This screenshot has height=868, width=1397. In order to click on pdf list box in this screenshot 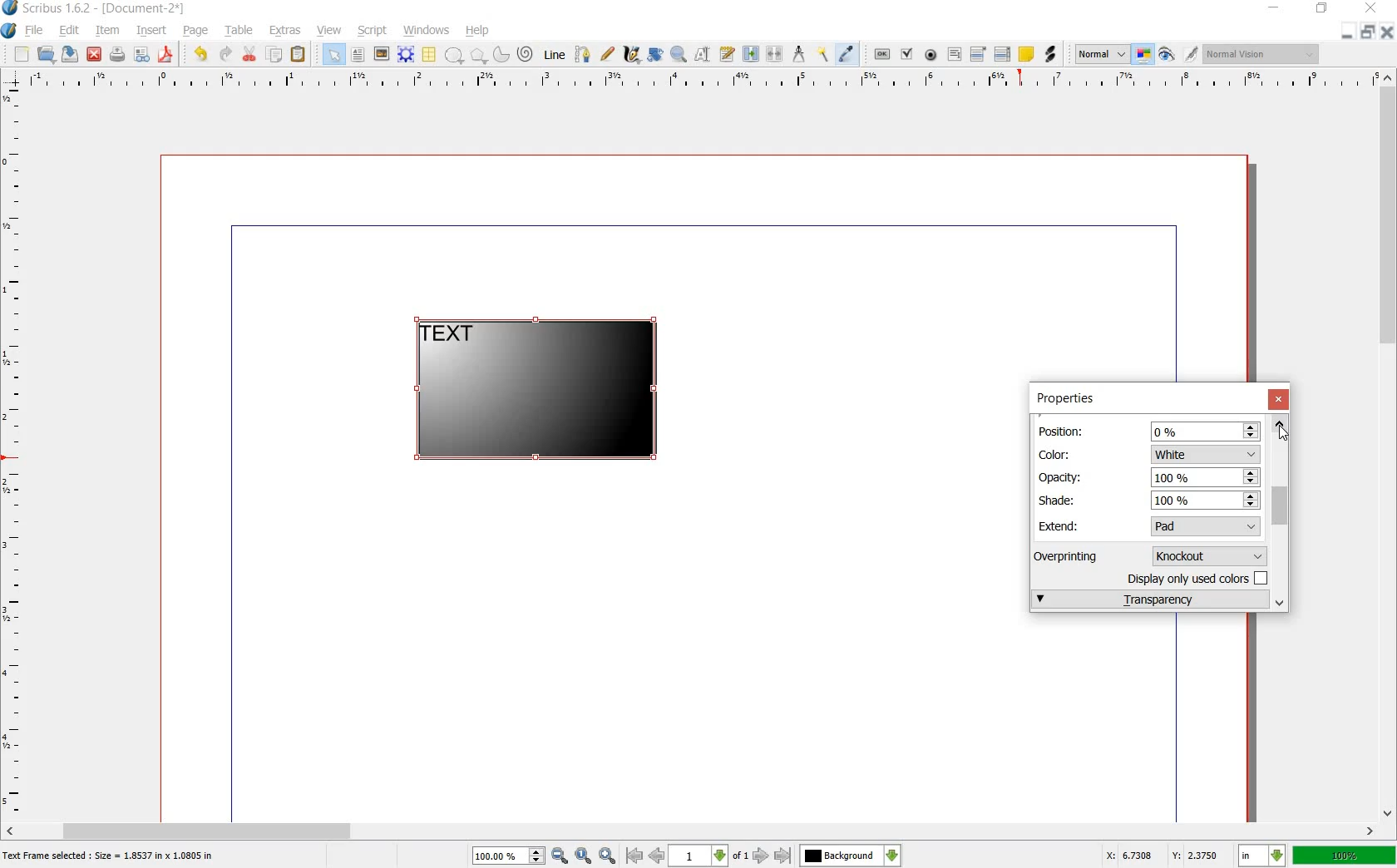, I will do `click(1002, 53)`.